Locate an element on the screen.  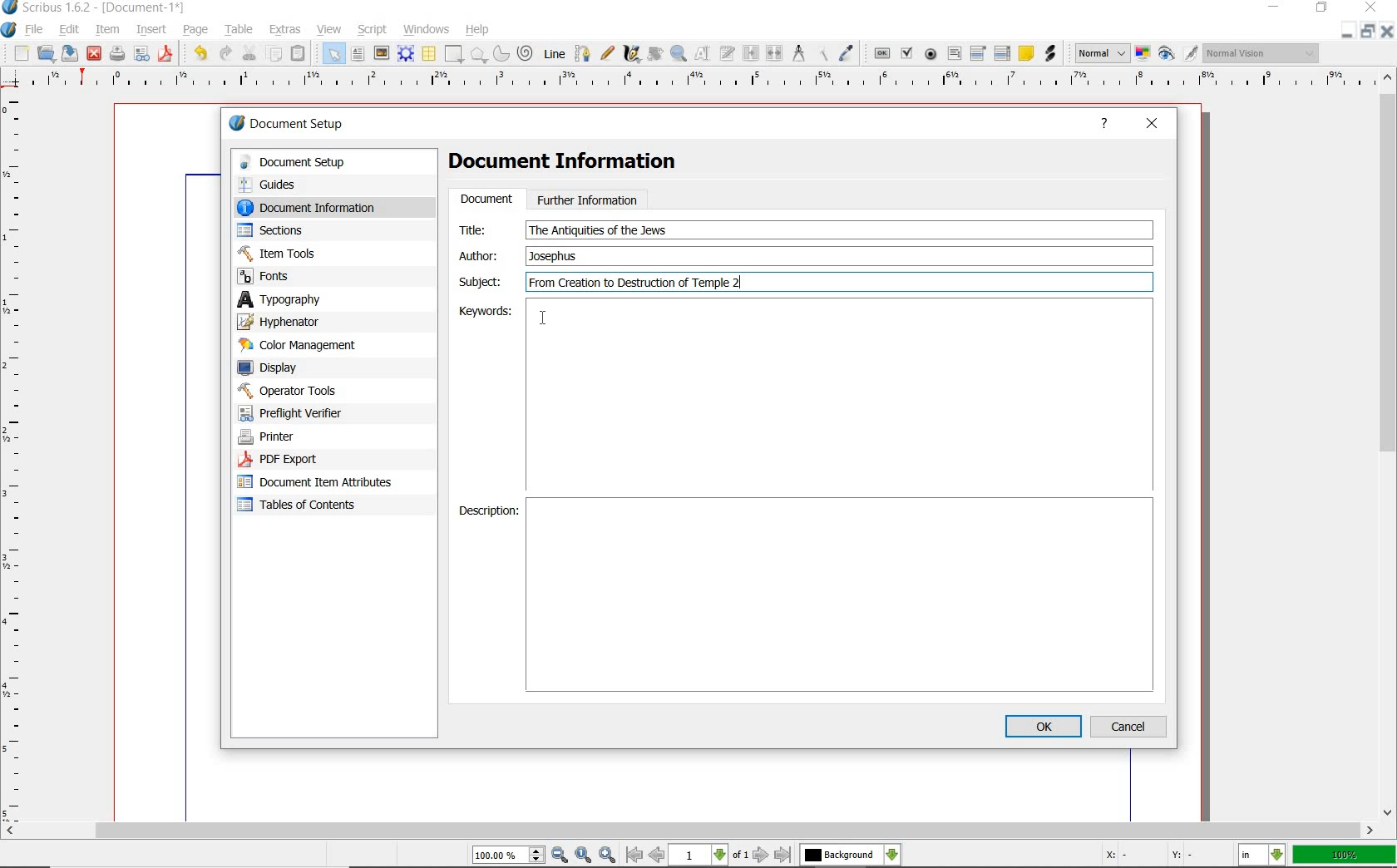
ok is located at coordinates (1043, 726).